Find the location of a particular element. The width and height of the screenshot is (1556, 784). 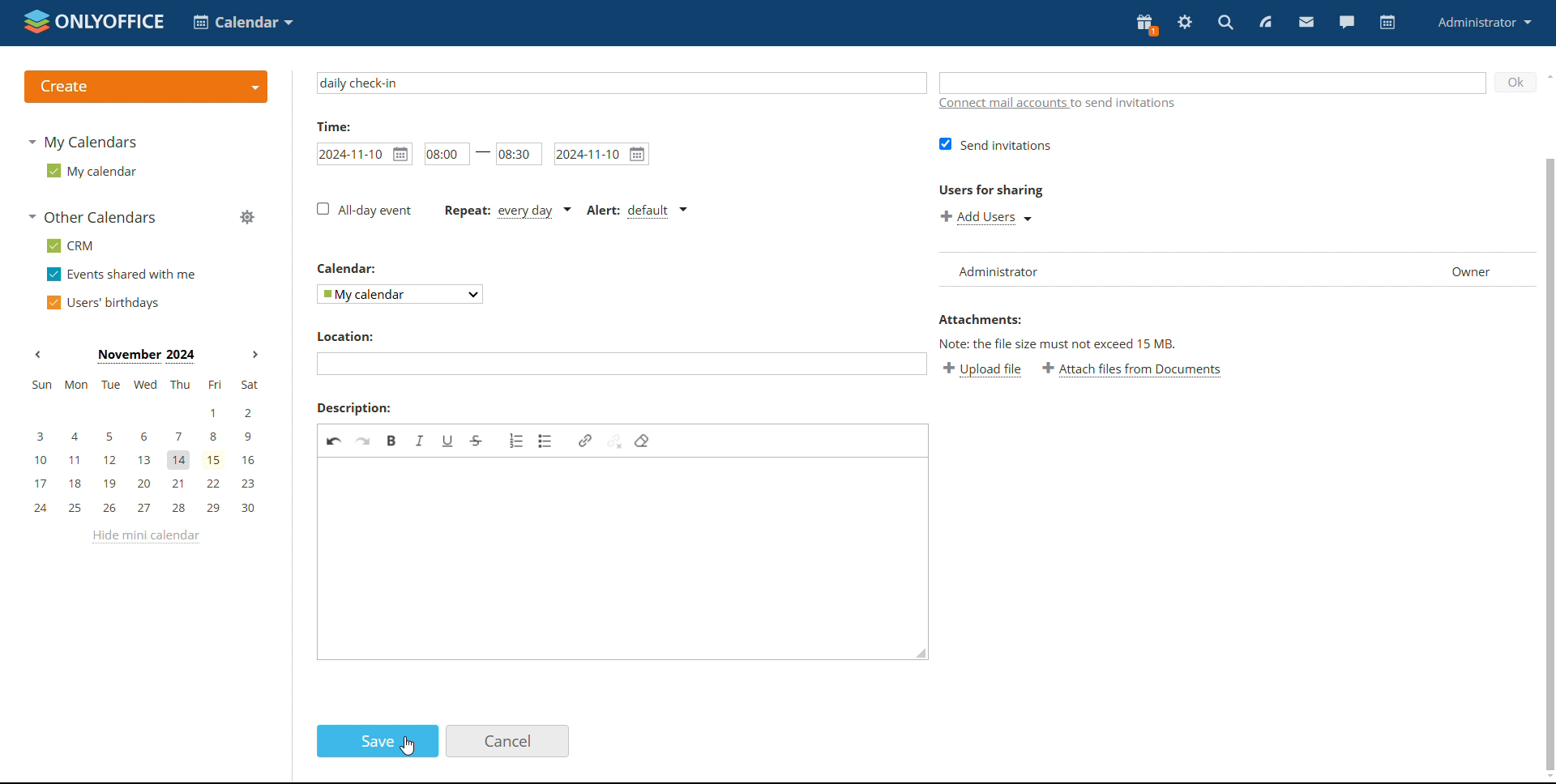

next month is located at coordinates (254, 355).